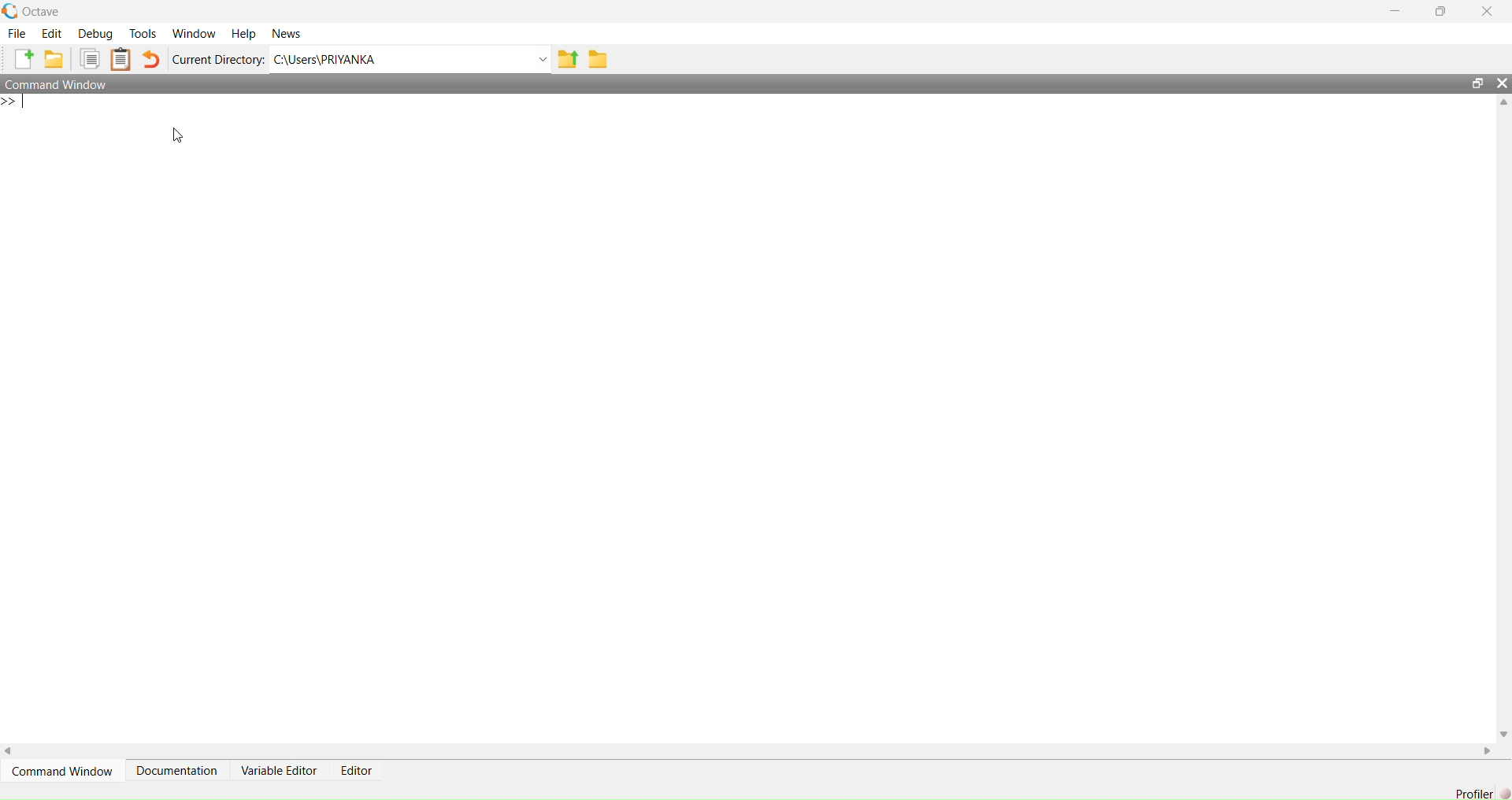 Image resolution: width=1512 pixels, height=800 pixels. I want to click on ‘Current Directory:, so click(216, 61).